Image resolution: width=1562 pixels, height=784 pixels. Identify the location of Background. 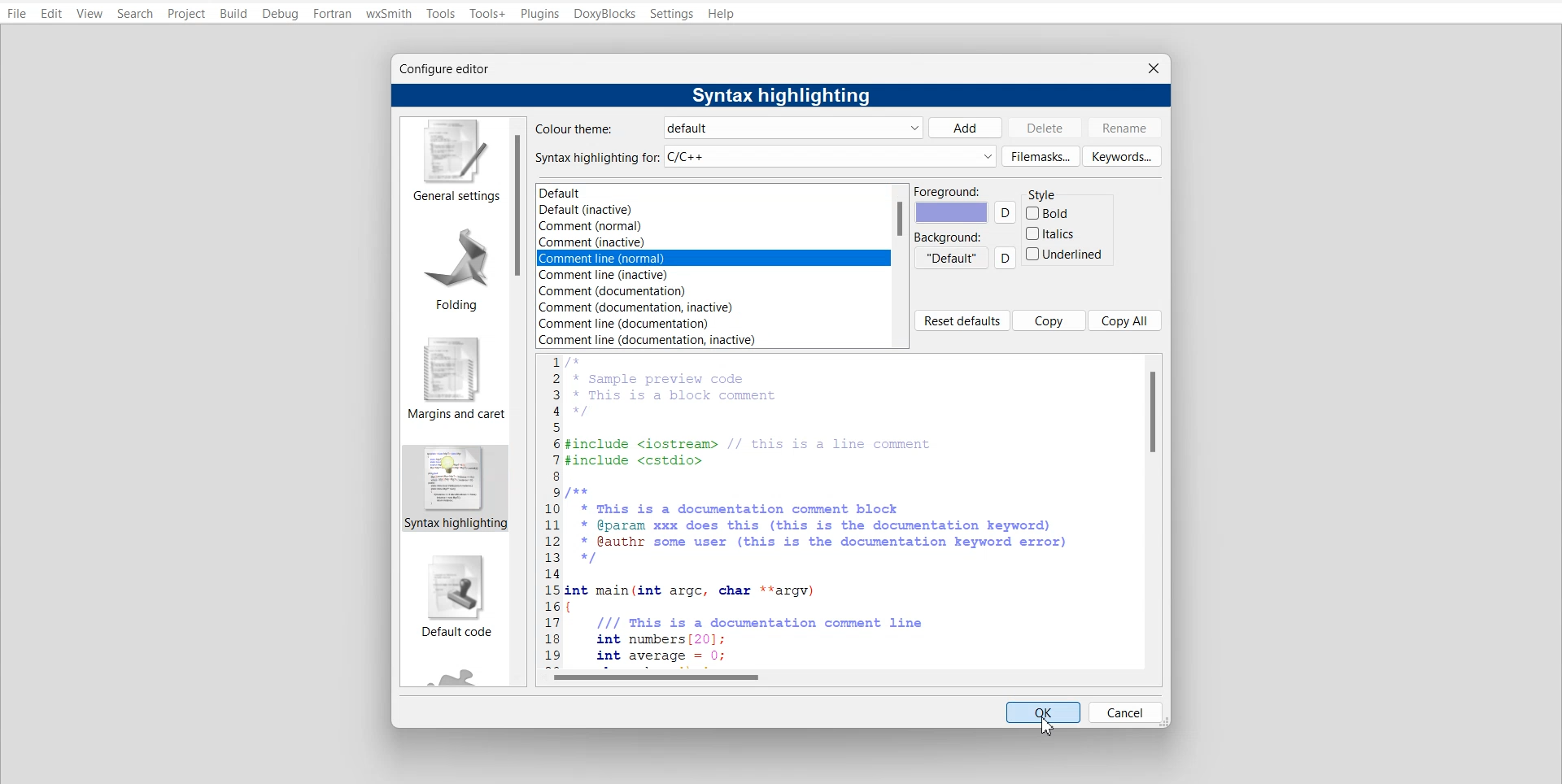
(966, 250).